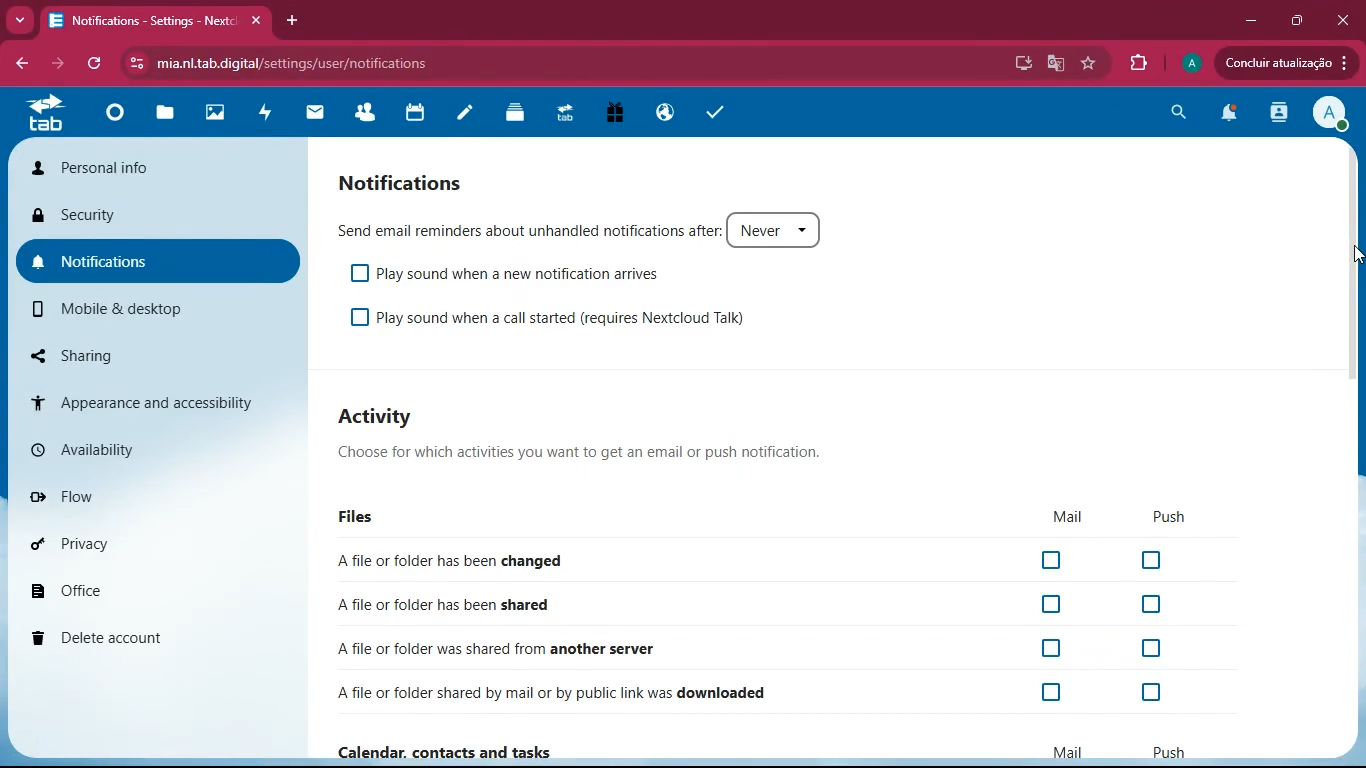 This screenshot has height=768, width=1366. What do you see at coordinates (142, 496) in the screenshot?
I see `flow` at bounding box center [142, 496].